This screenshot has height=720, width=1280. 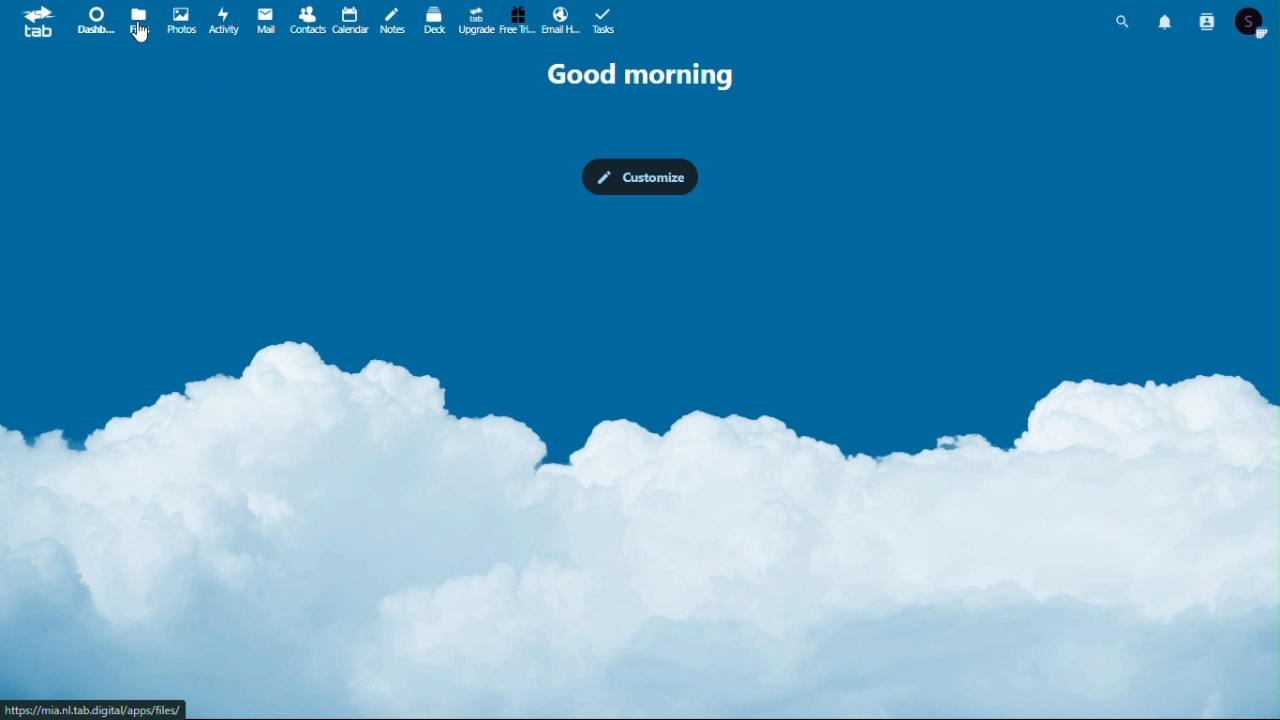 I want to click on url, so click(x=94, y=709).